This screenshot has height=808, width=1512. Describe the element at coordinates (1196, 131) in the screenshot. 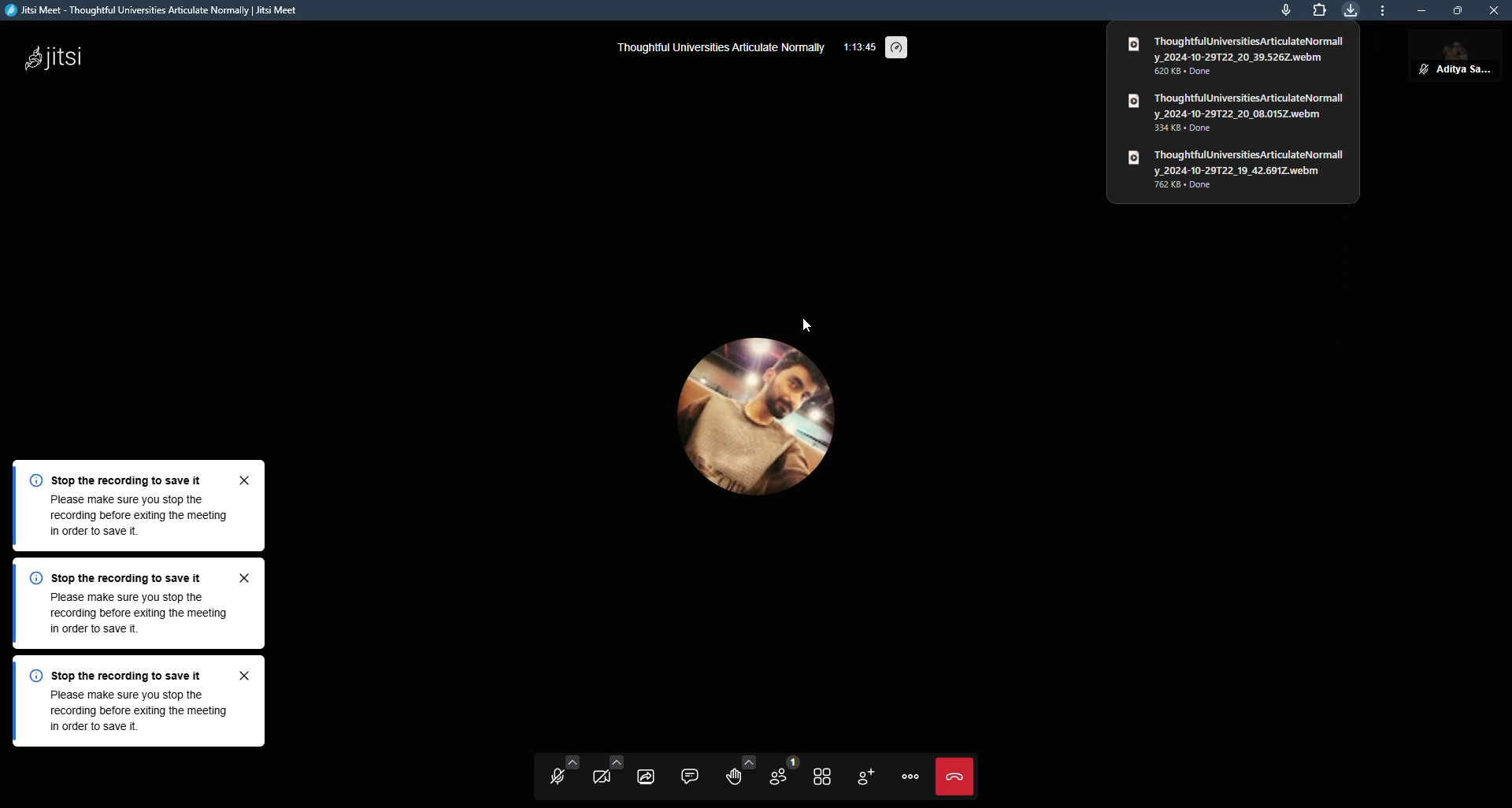

I see `334 KB Done.` at that location.